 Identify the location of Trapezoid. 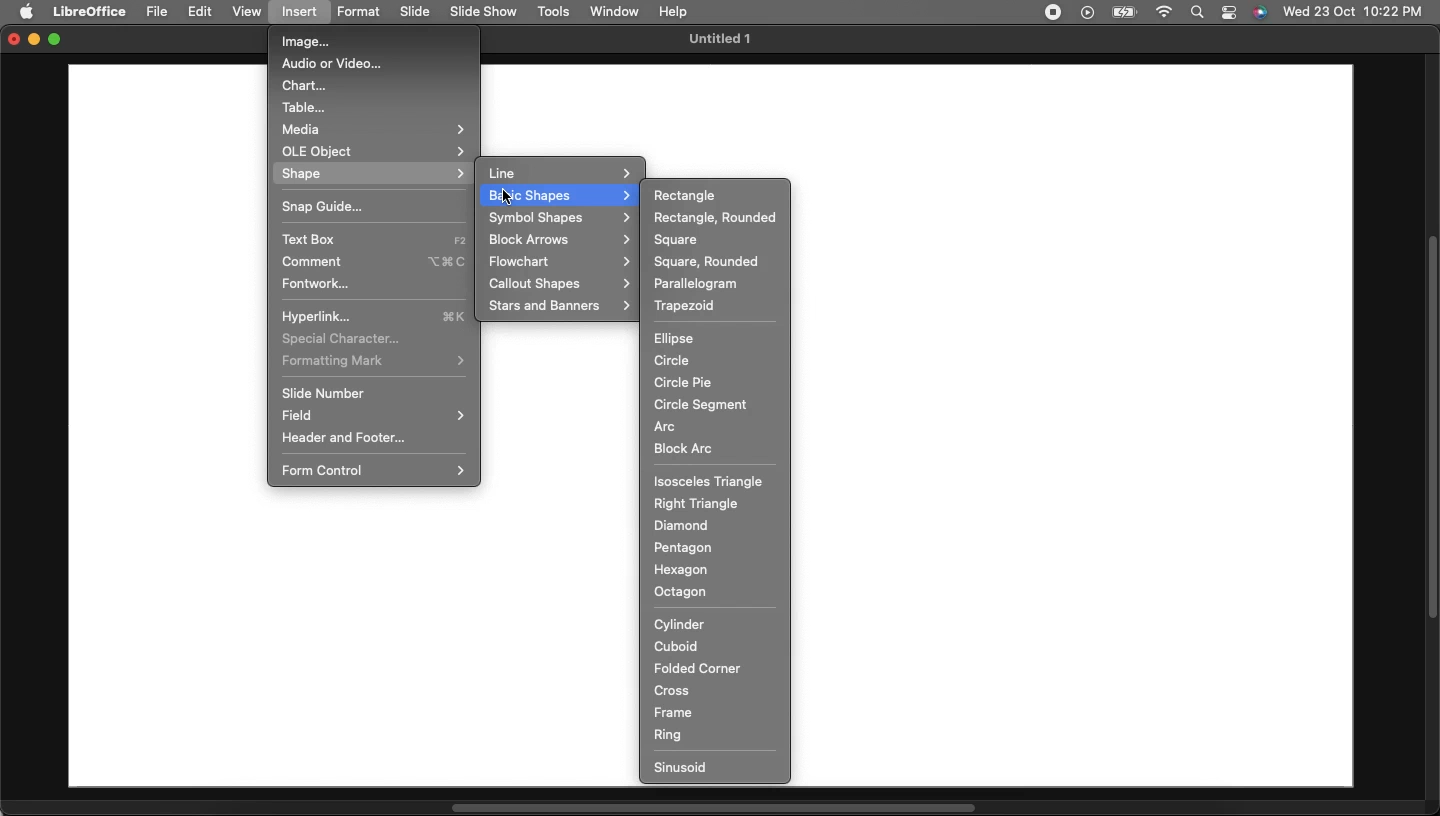
(685, 306).